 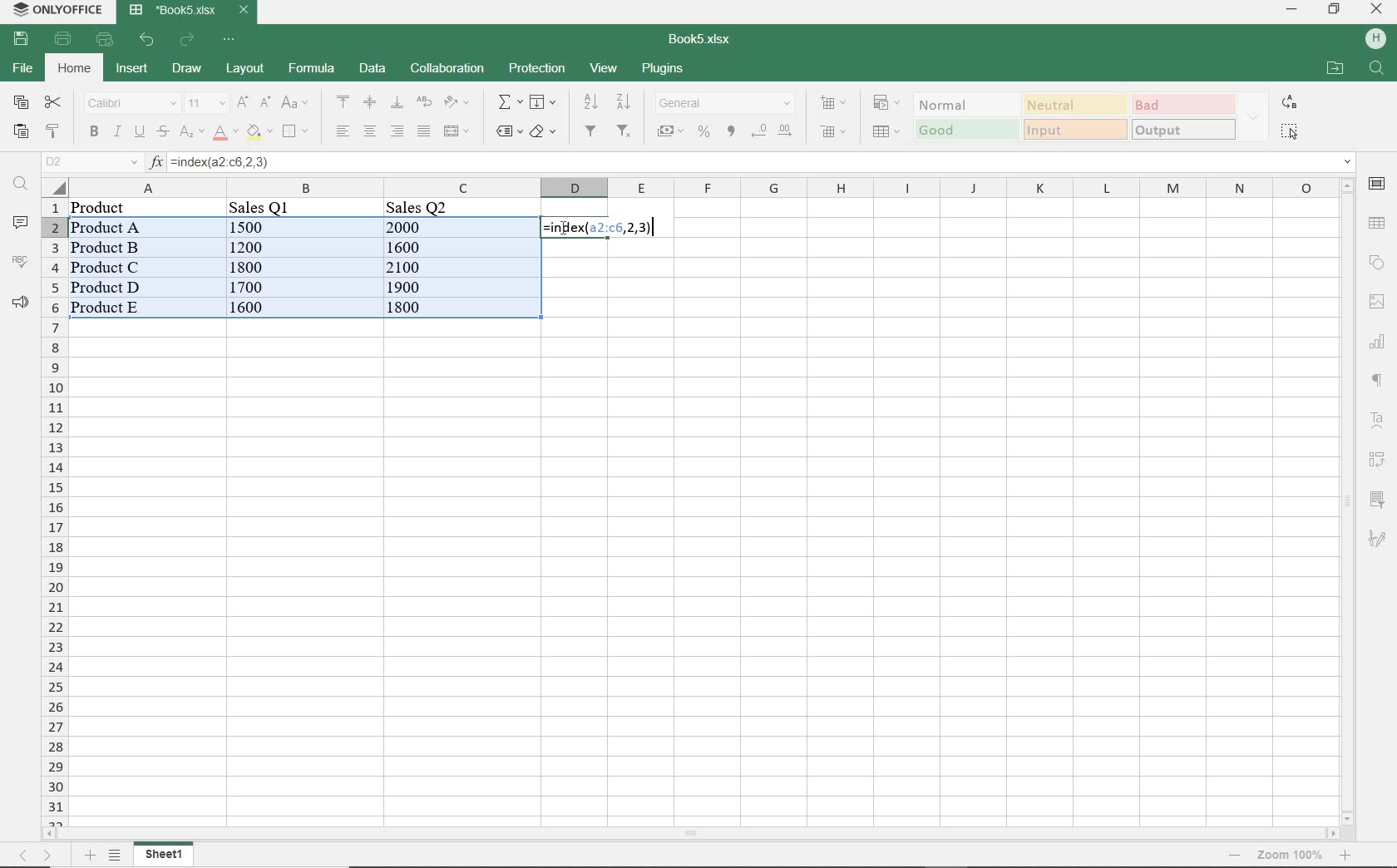 What do you see at coordinates (1377, 184) in the screenshot?
I see `cell settings` at bounding box center [1377, 184].